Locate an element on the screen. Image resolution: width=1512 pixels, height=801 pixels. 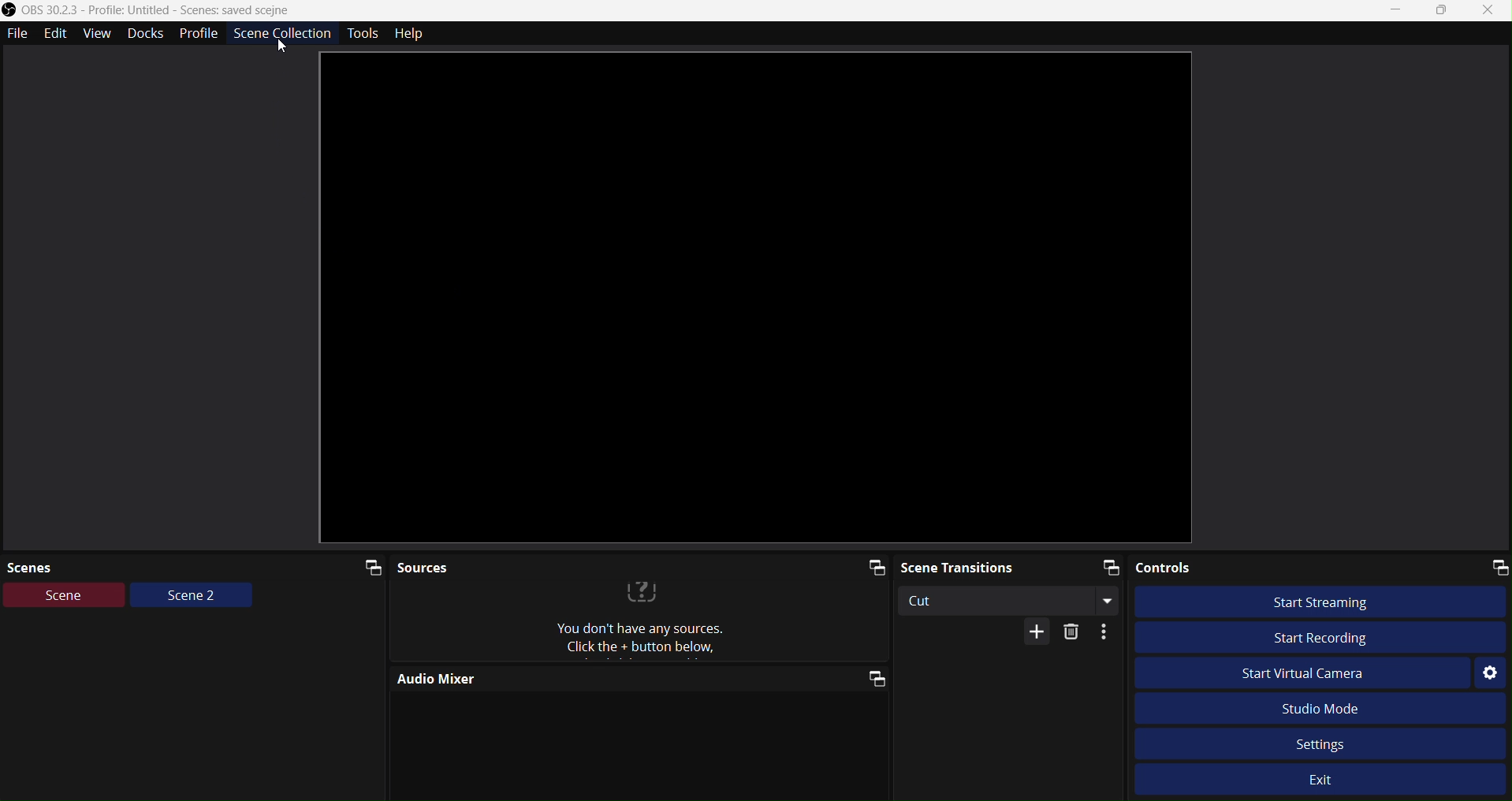
minimize is located at coordinates (1395, 9).